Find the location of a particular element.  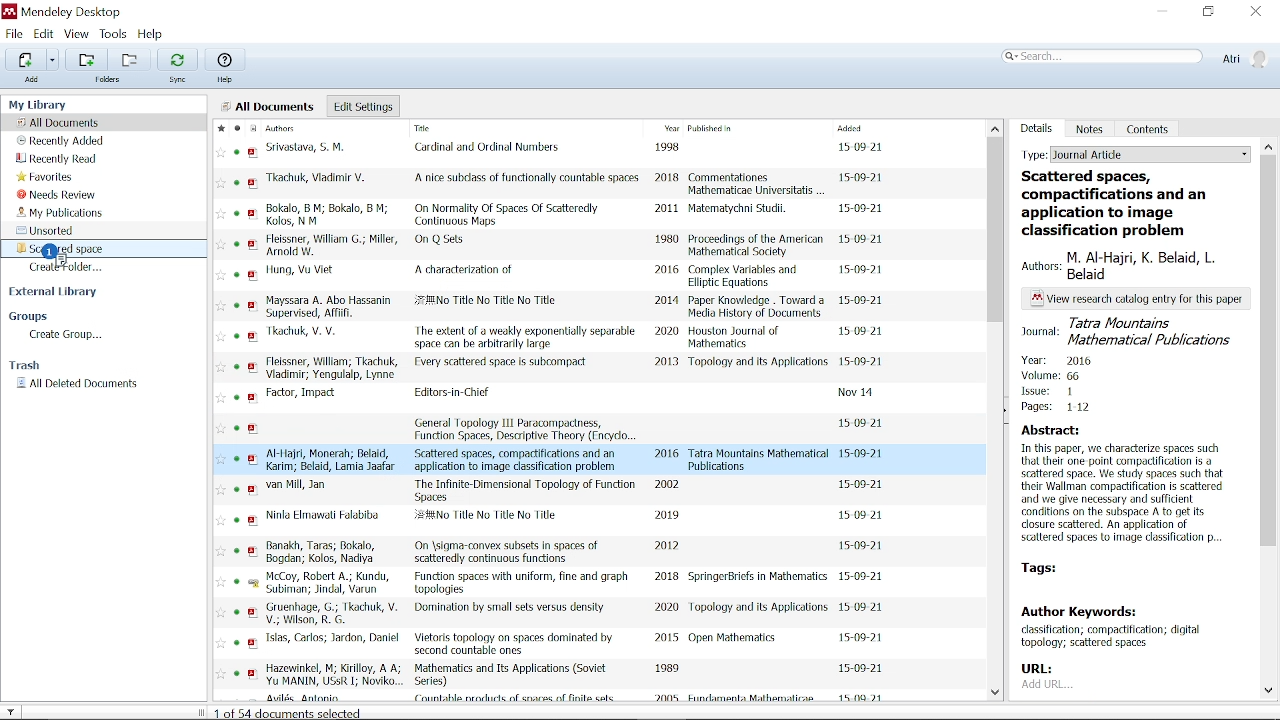

Date is located at coordinates (863, 666).